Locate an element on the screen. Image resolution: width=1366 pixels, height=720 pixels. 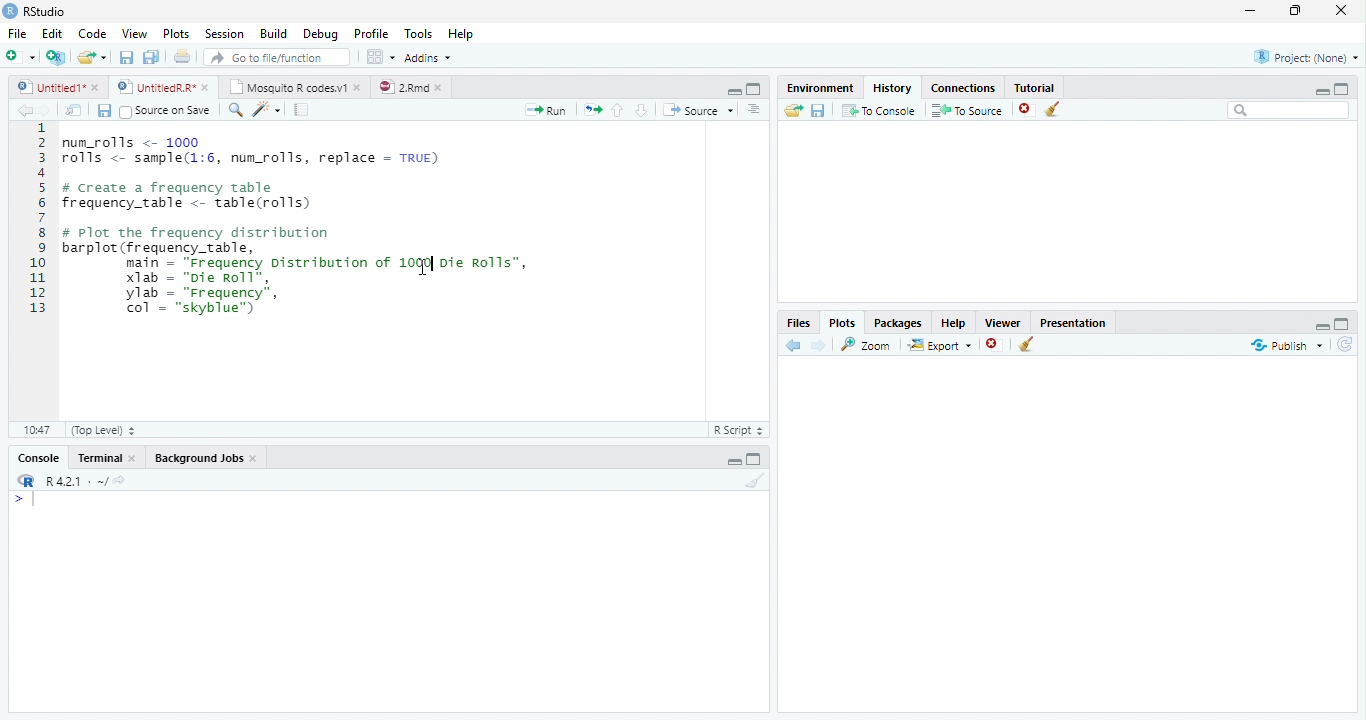
Clear is located at coordinates (1026, 344).